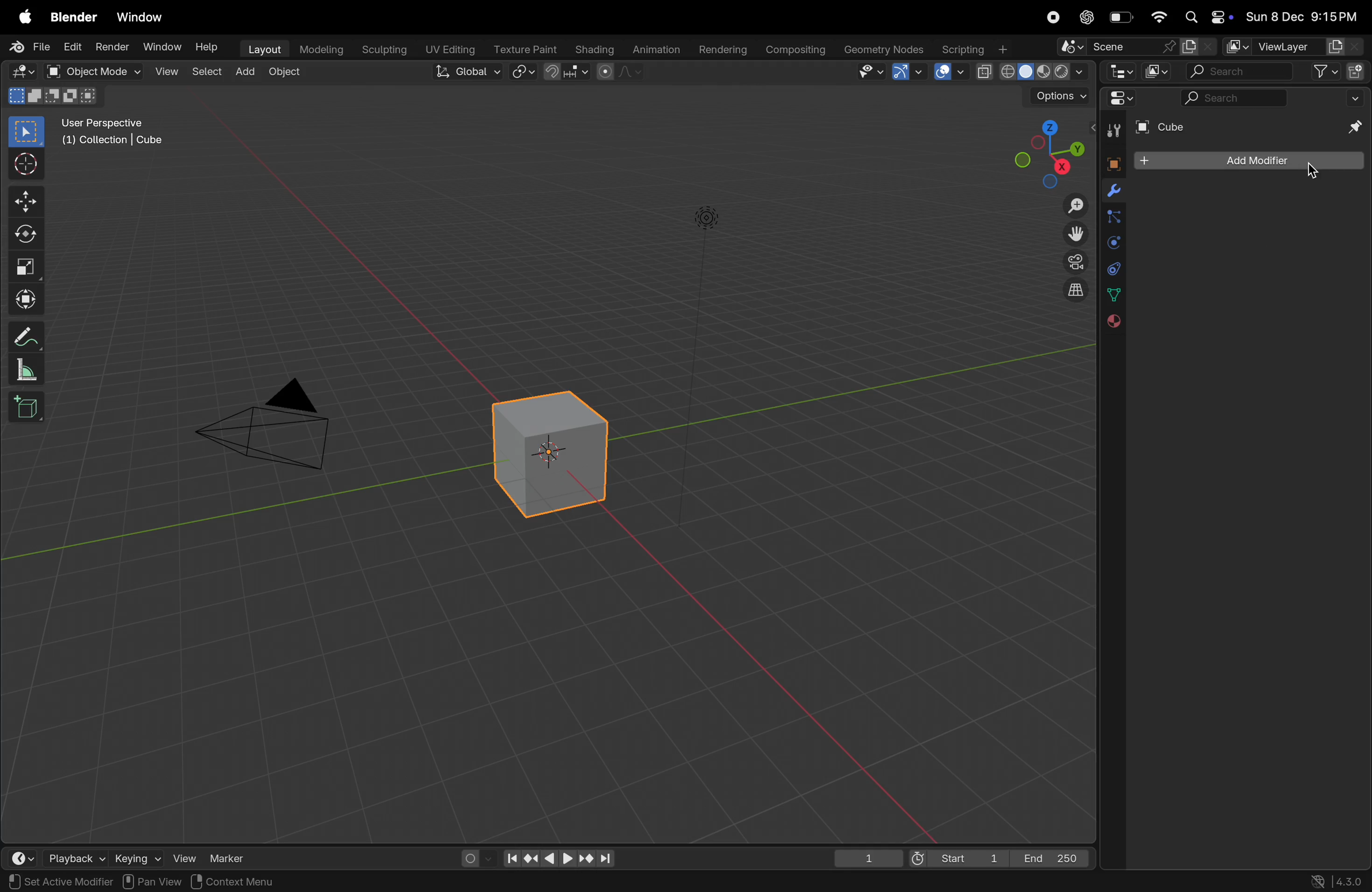  What do you see at coordinates (527, 49) in the screenshot?
I see `texture point` at bounding box center [527, 49].